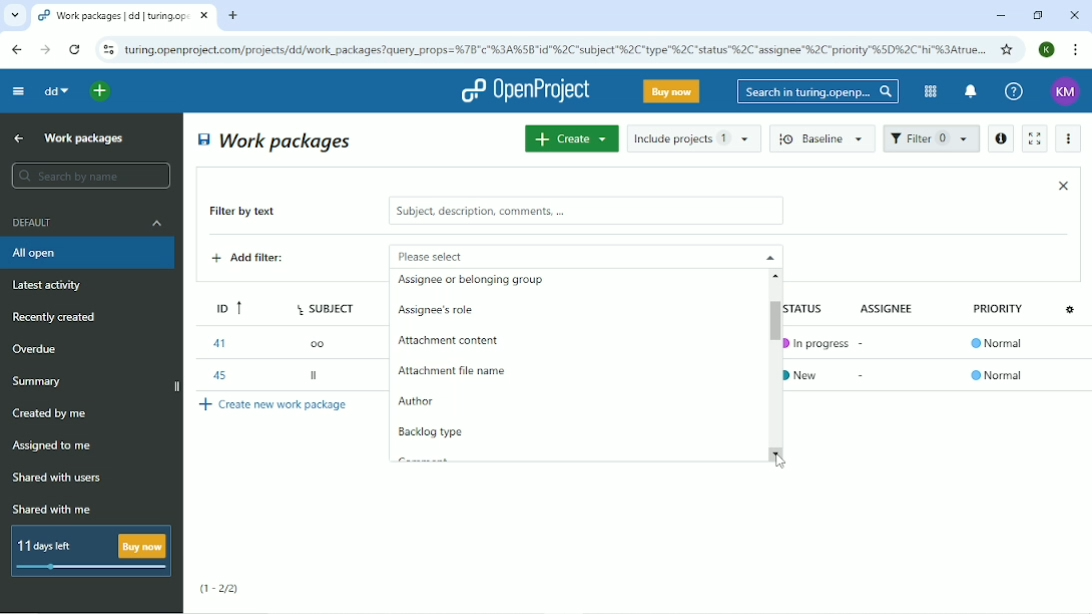 Image resolution: width=1092 pixels, height=614 pixels. Describe the element at coordinates (1070, 139) in the screenshot. I see `More actions` at that location.